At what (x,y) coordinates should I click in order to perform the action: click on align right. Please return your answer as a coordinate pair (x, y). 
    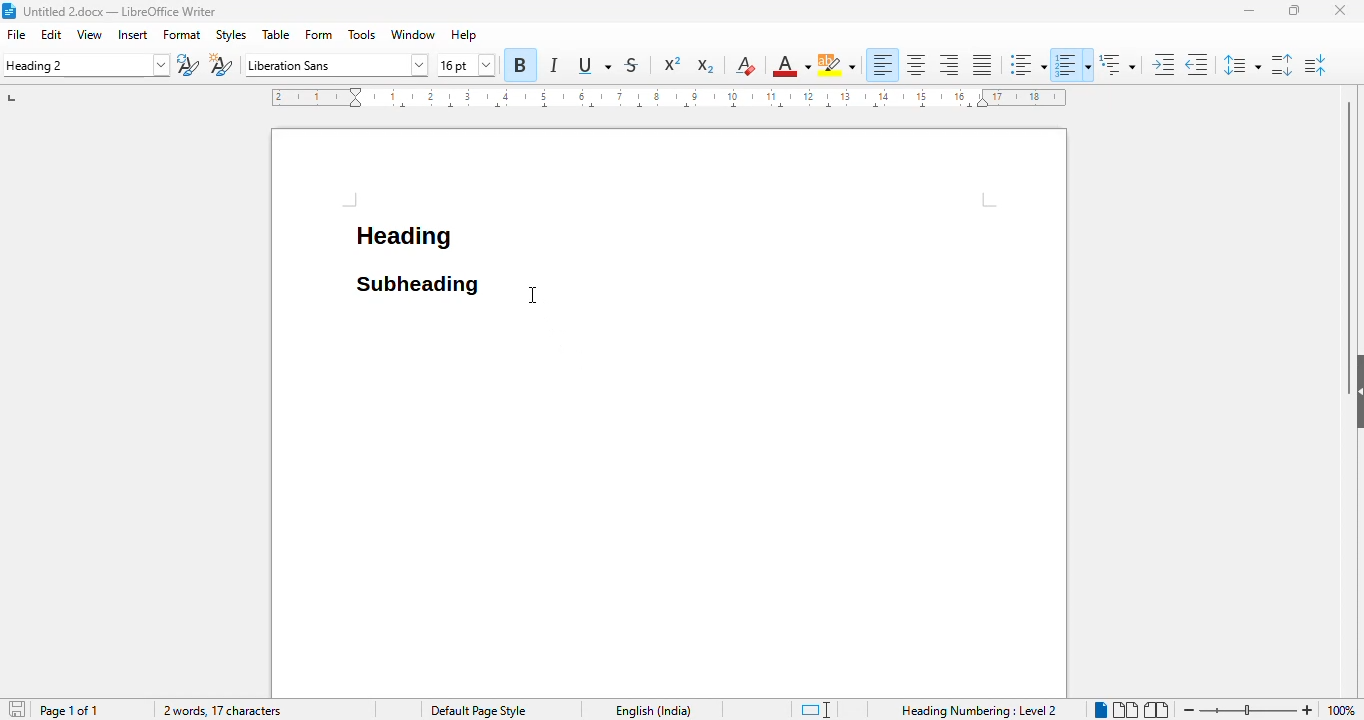
    Looking at the image, I should click on (948, 65).